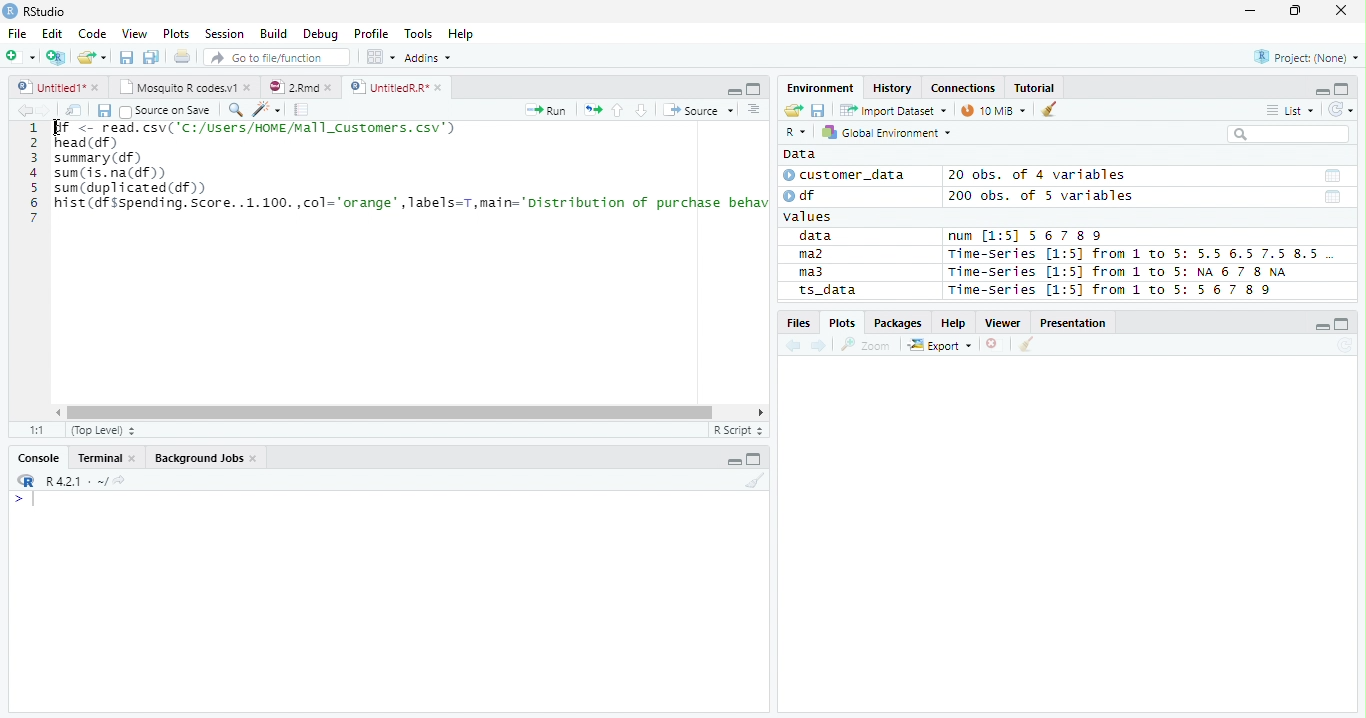 This screenshot has width=1366, height=718. What do you see at coordinates (276, 35) in the screenshot?
I see `Build` at bounding box center [276, 35].